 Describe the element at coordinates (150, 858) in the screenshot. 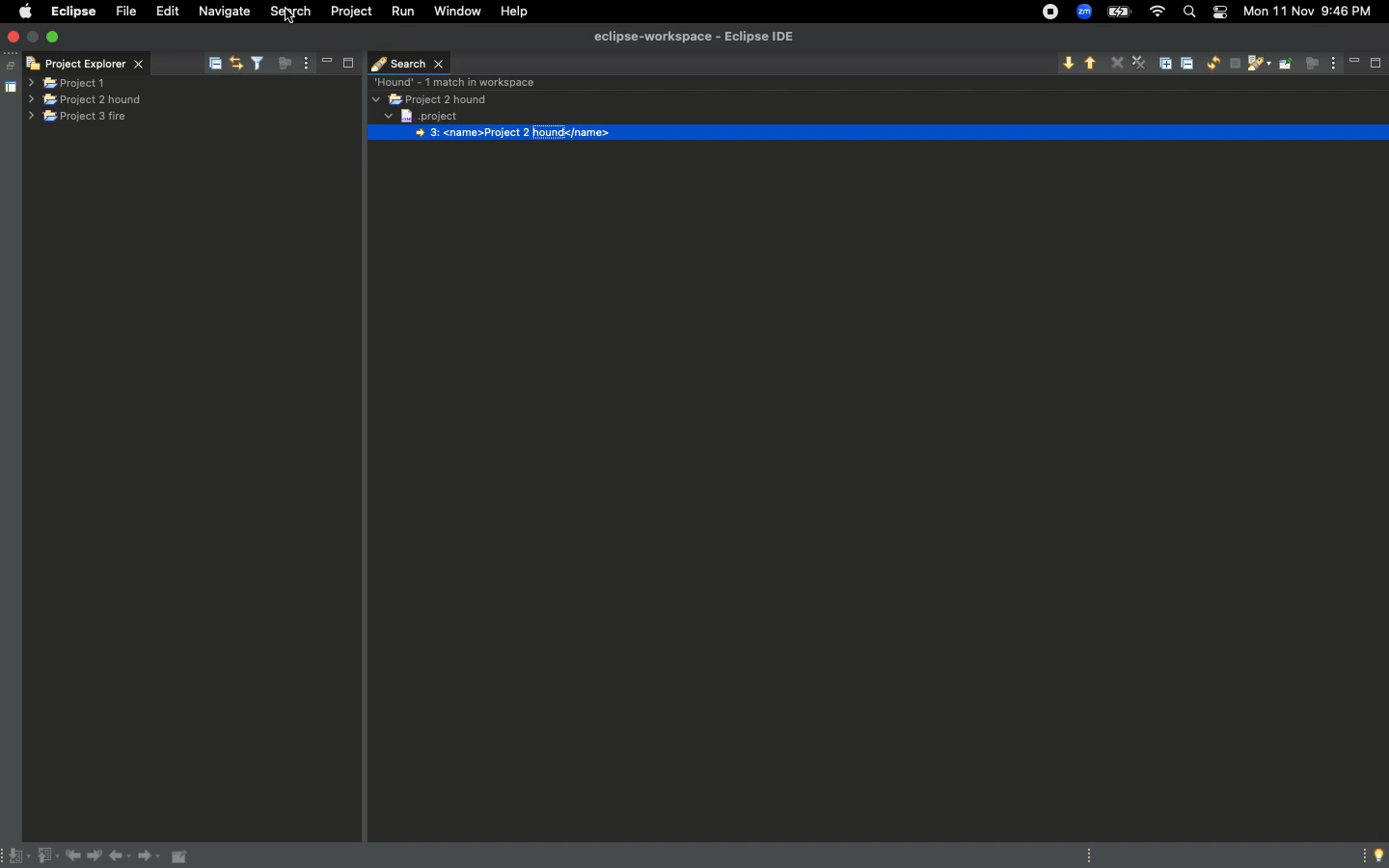

I see `Forward` at that location.